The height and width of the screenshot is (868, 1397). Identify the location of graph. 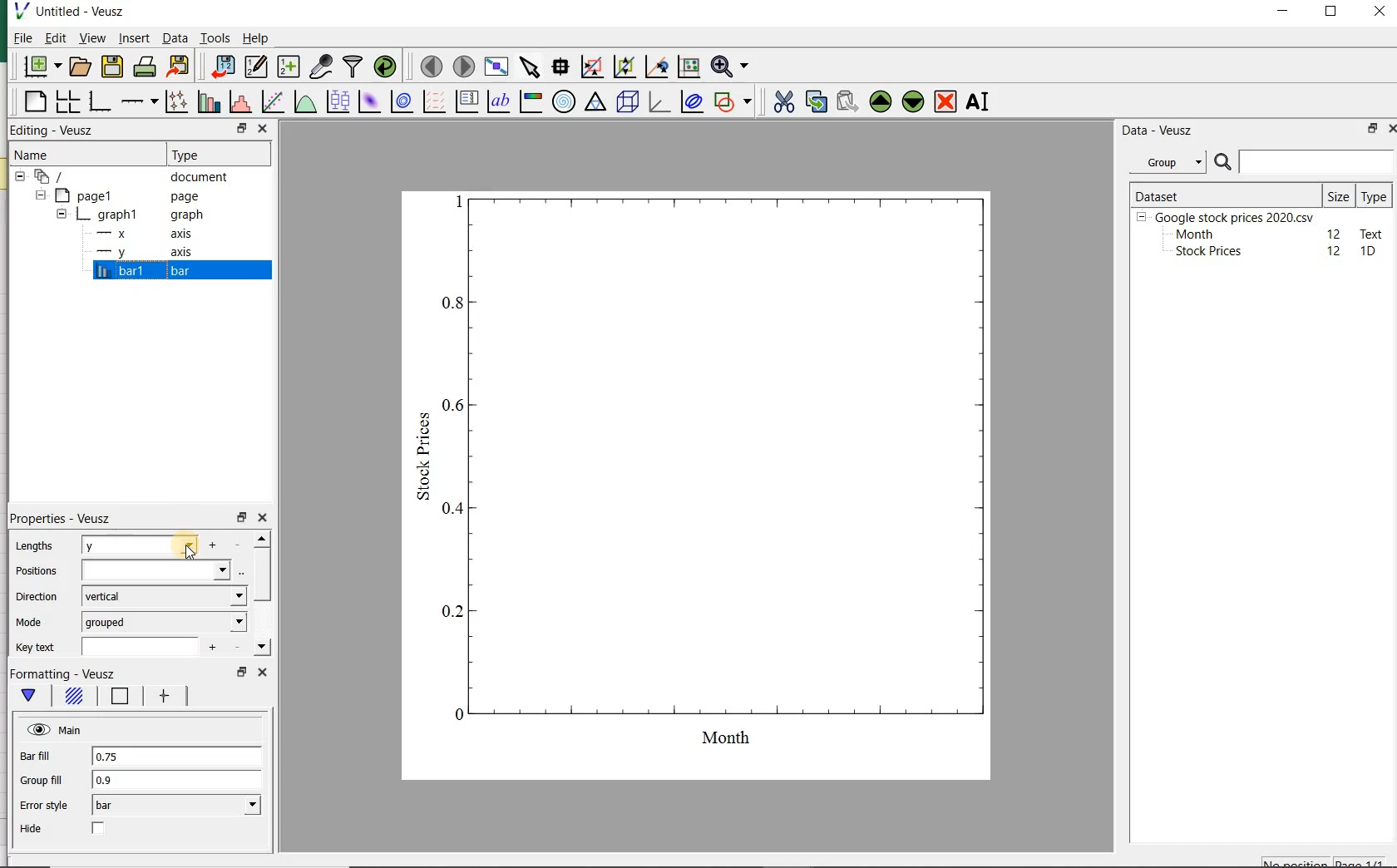
(708, 481).